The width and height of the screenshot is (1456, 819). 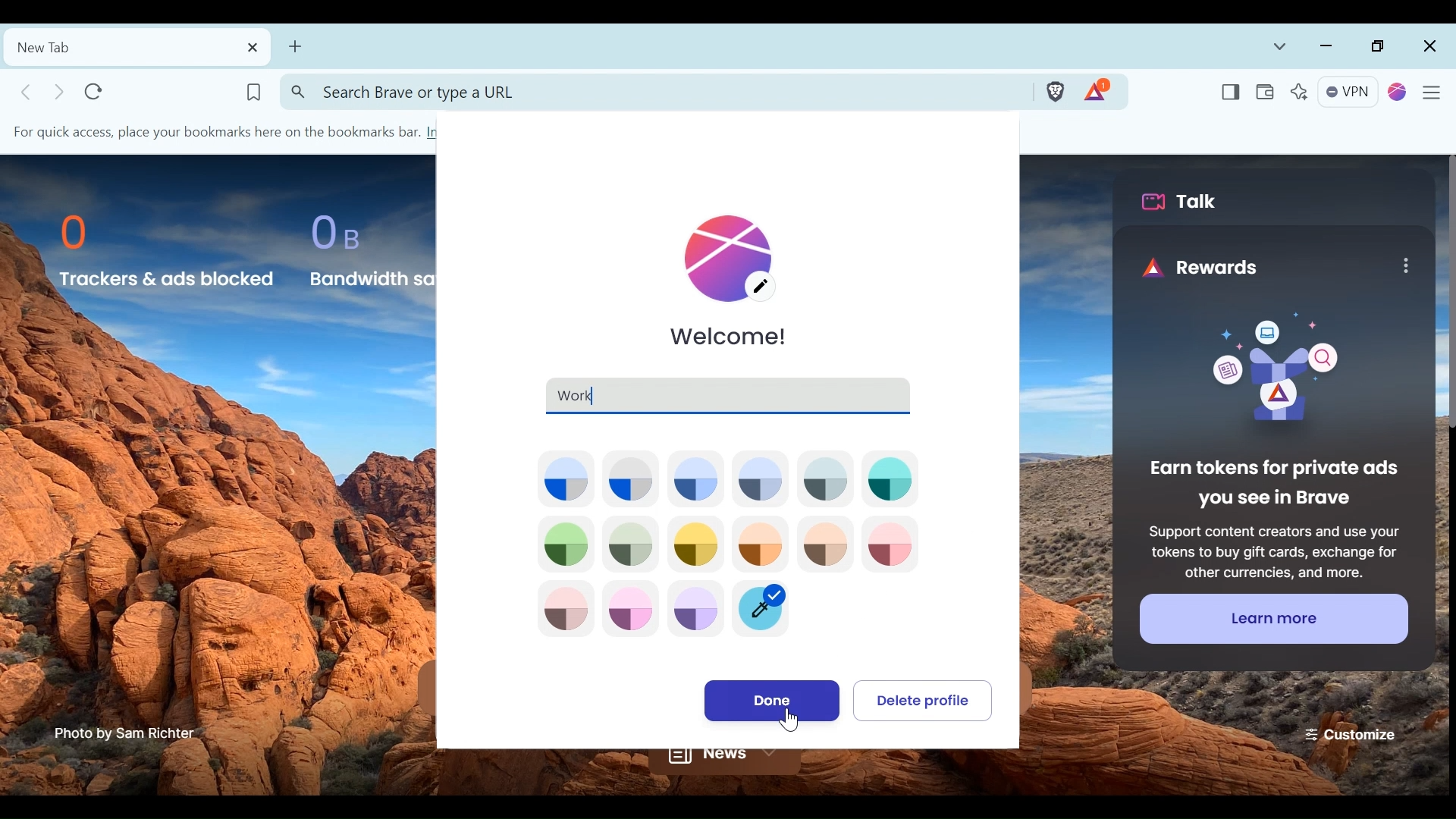 What do you see at coordinates (564, 610) in the screenshot?
I see `Theme` at bounding box center [564, 610].